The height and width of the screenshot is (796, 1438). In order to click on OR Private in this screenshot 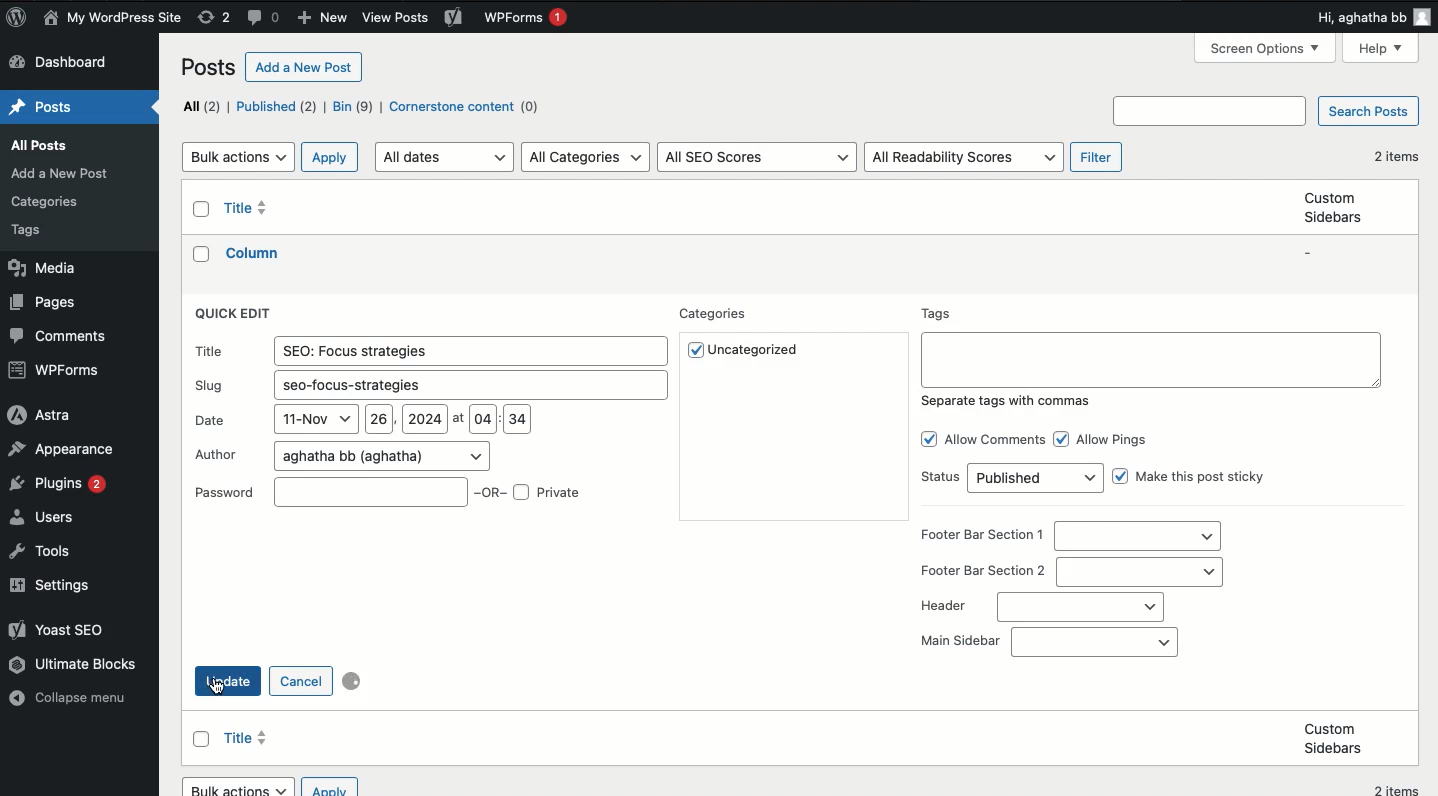, I will do `click(563, 493)`.